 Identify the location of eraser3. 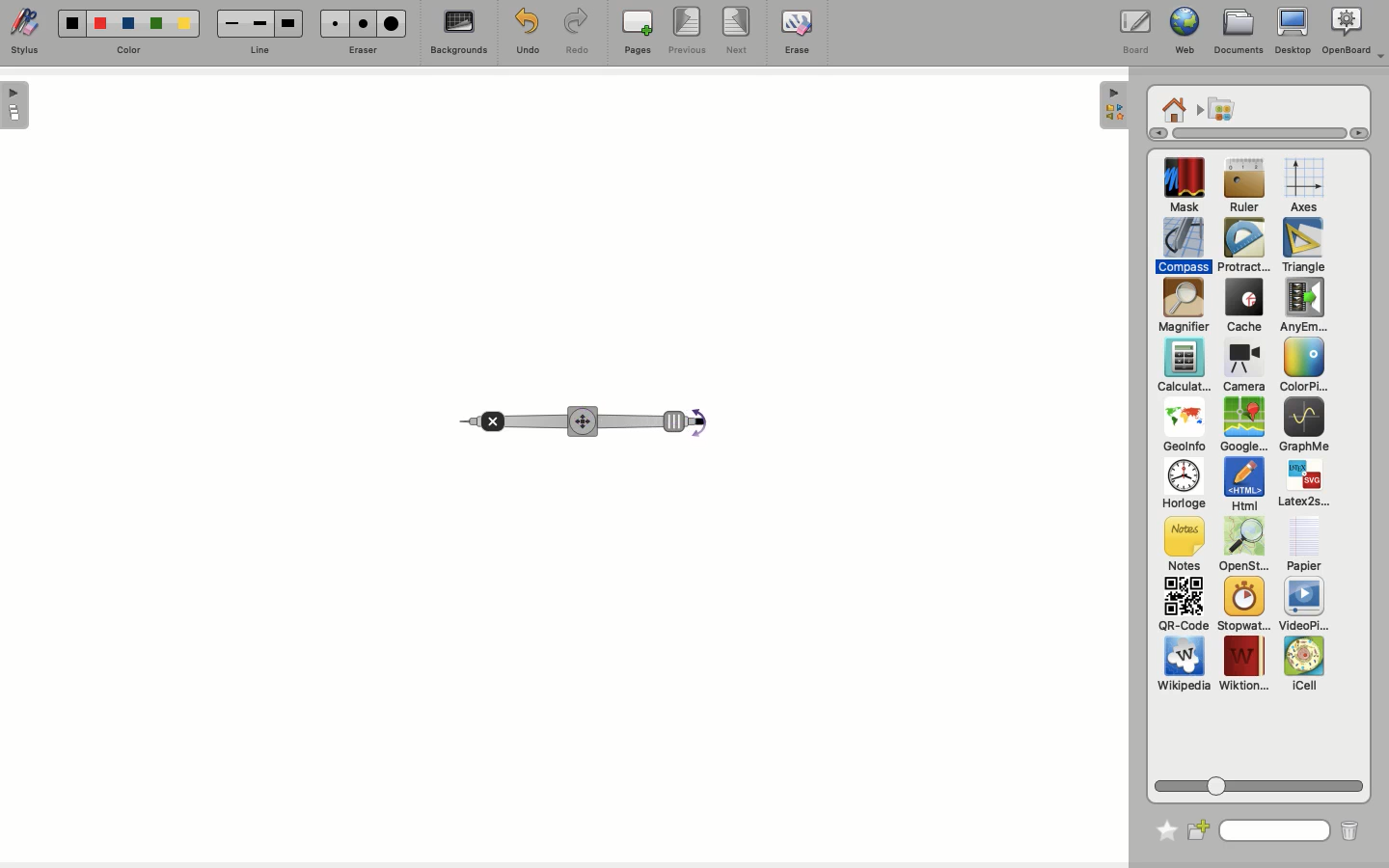
(393, 24).